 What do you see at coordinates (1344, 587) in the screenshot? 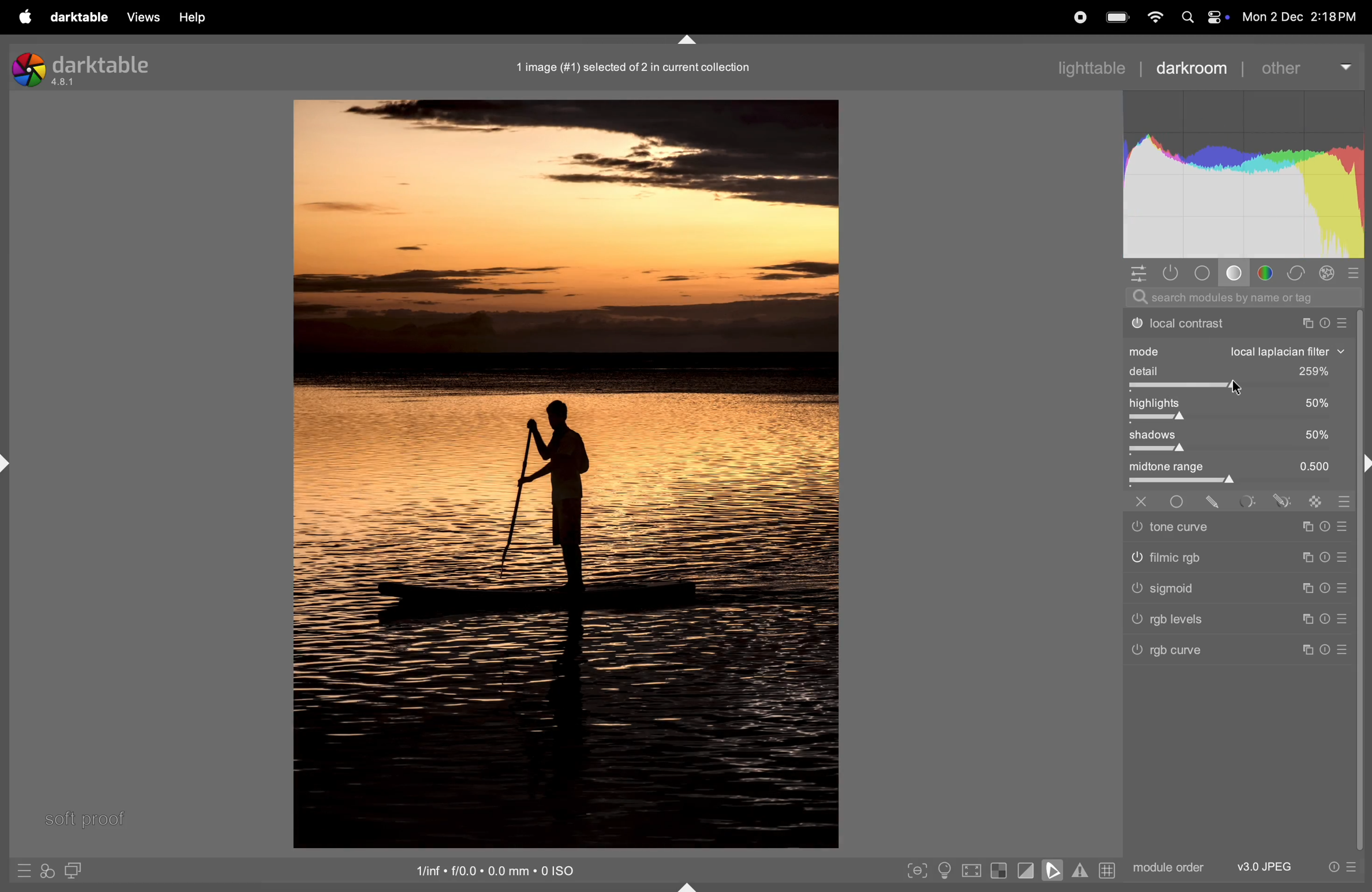
I see `sign ` at bounding box center [1344, 587].